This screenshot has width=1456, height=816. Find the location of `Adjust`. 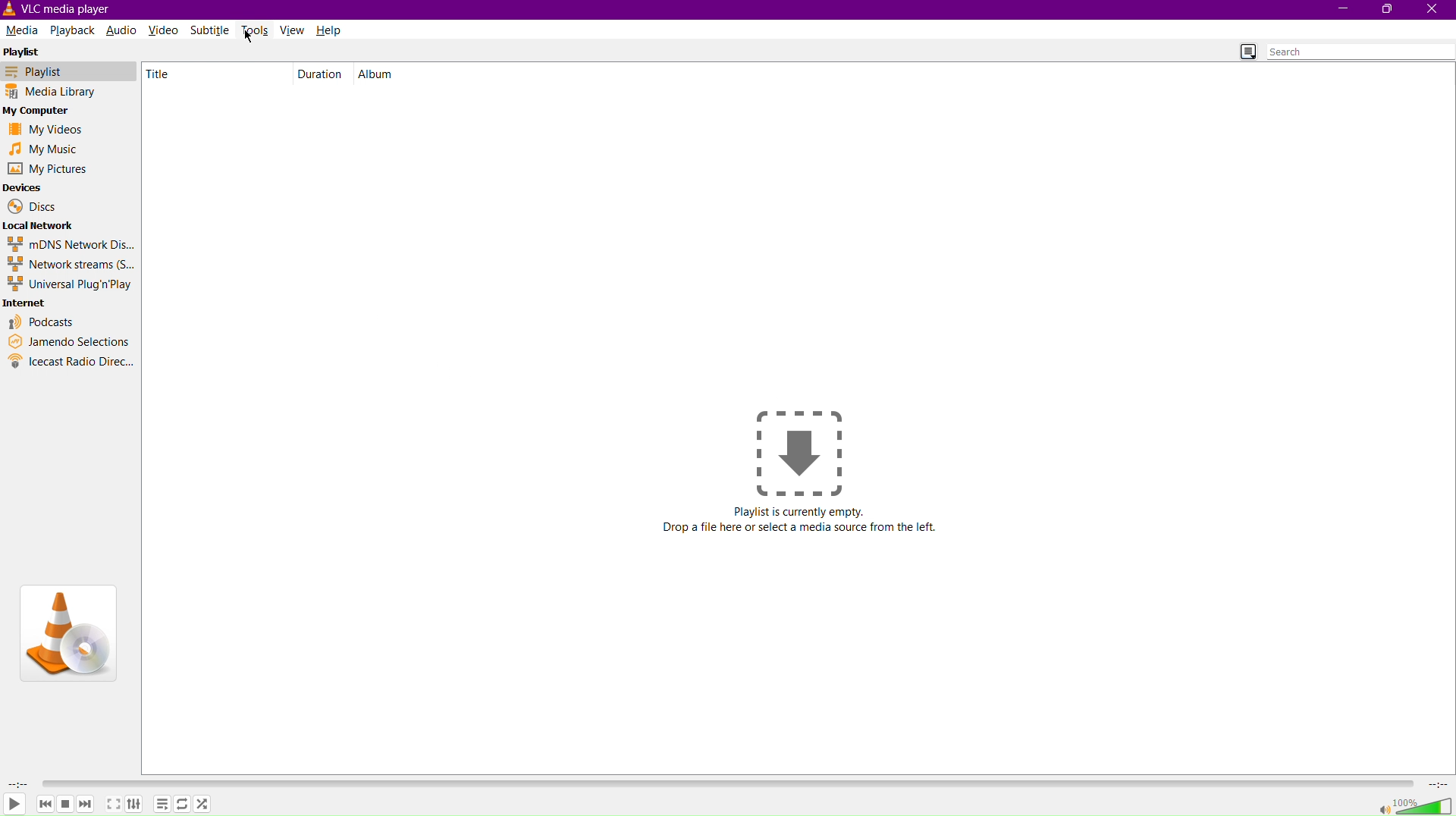

Adjust is located at coordinates (136, 802).